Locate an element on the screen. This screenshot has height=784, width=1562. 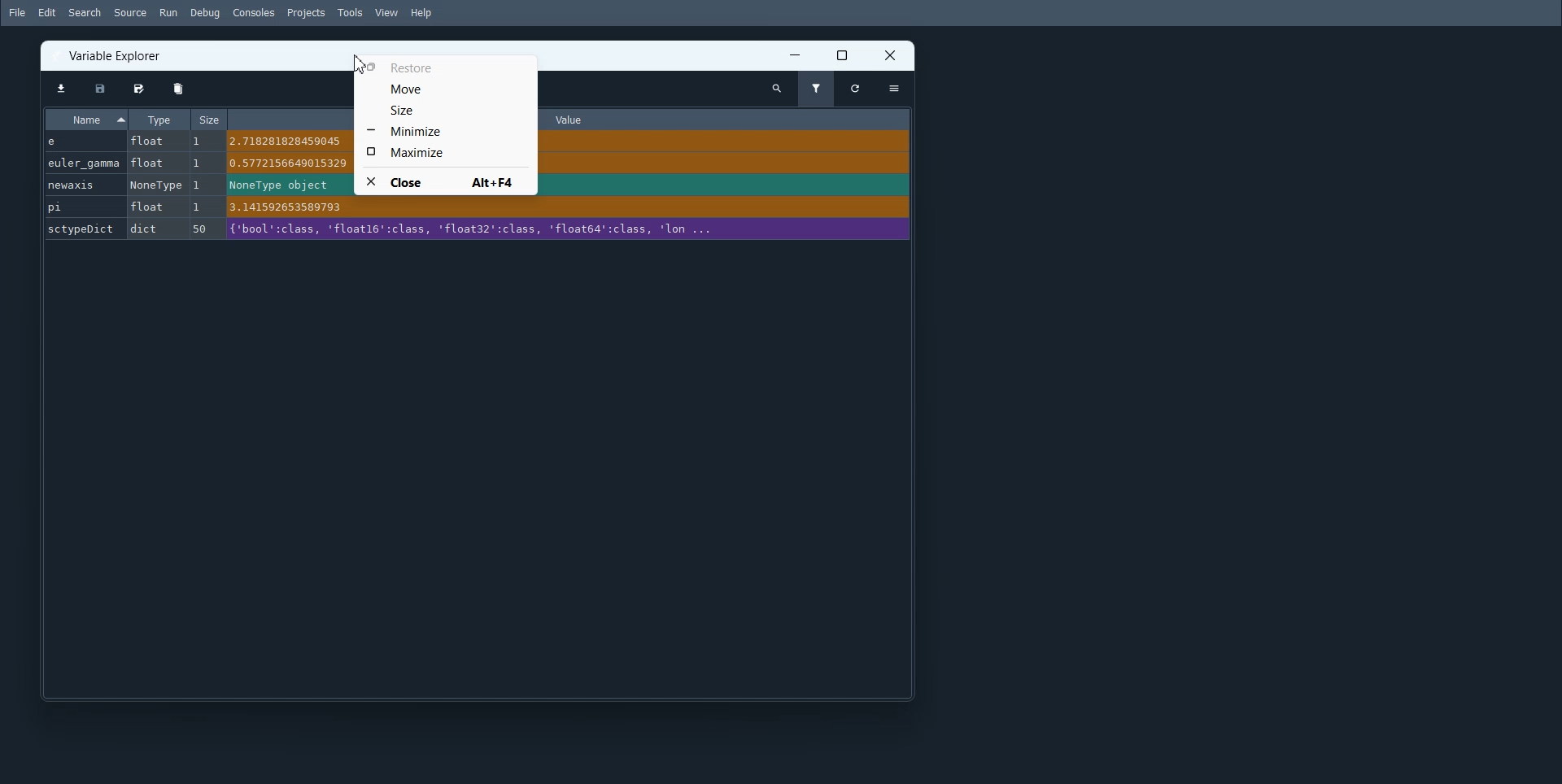
Variable Explorer is located at coordinates (117, 54).